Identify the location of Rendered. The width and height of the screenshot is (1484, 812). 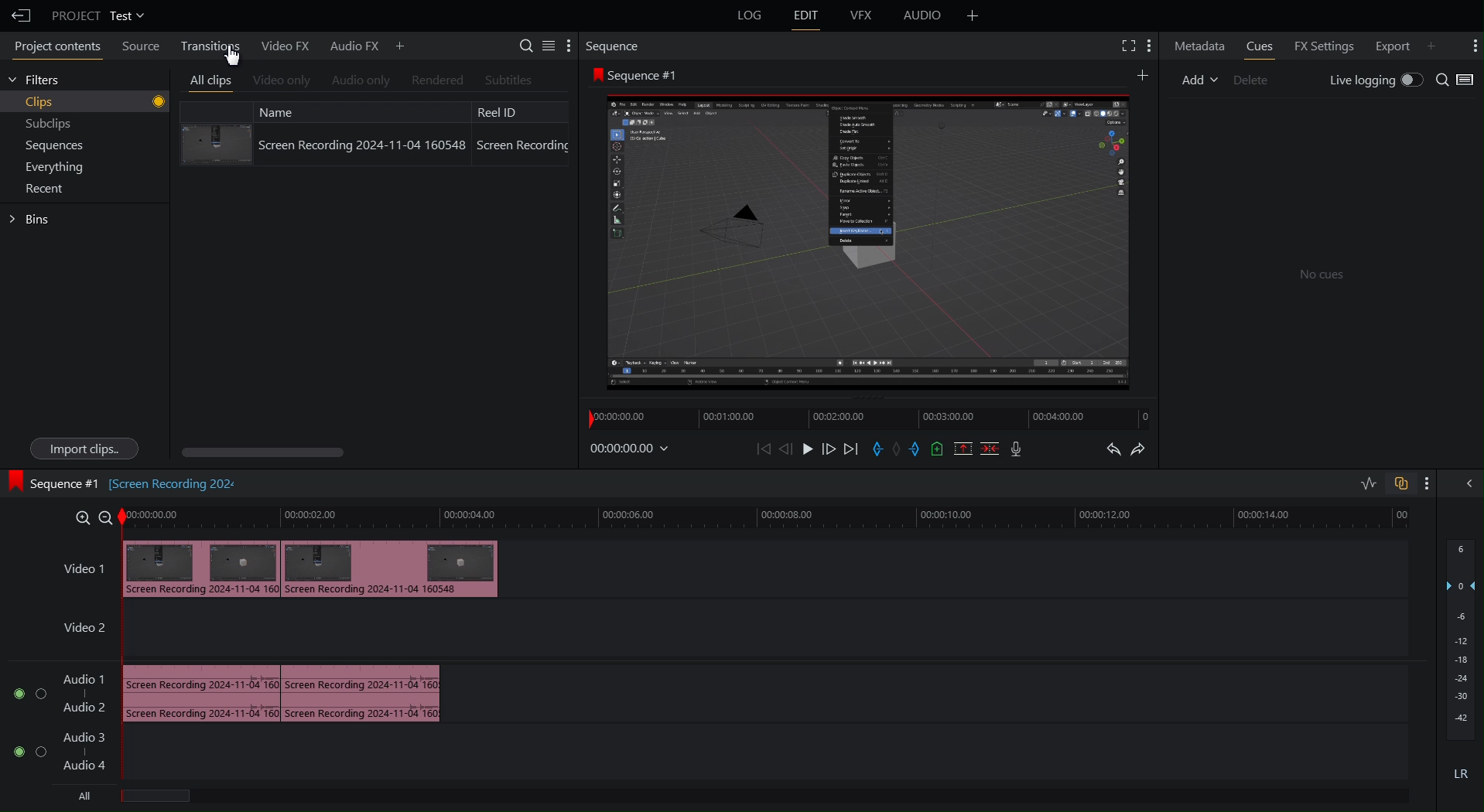
(437, 78).